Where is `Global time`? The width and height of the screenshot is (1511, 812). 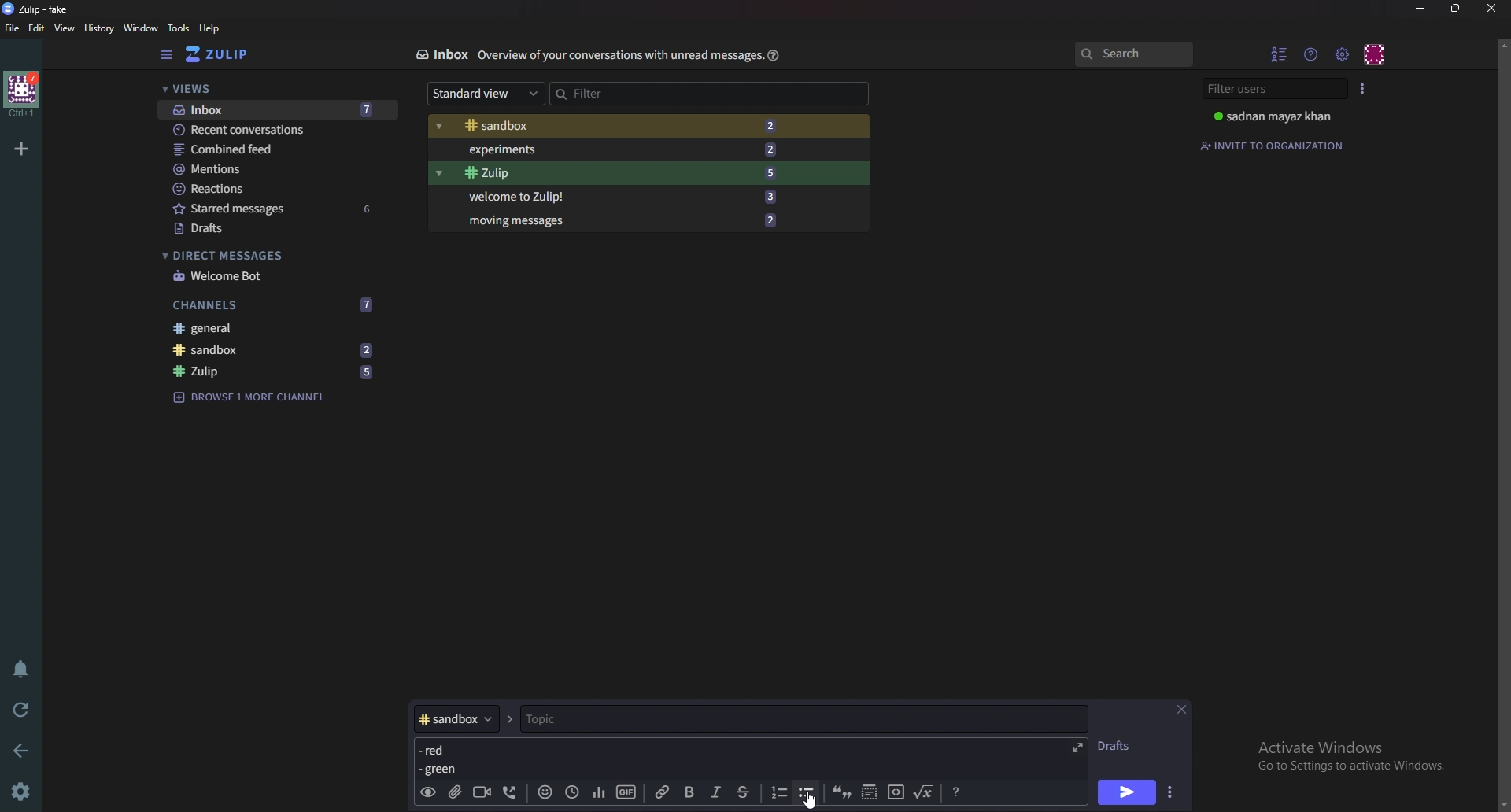
Global time is located at coordinates (571, 792).